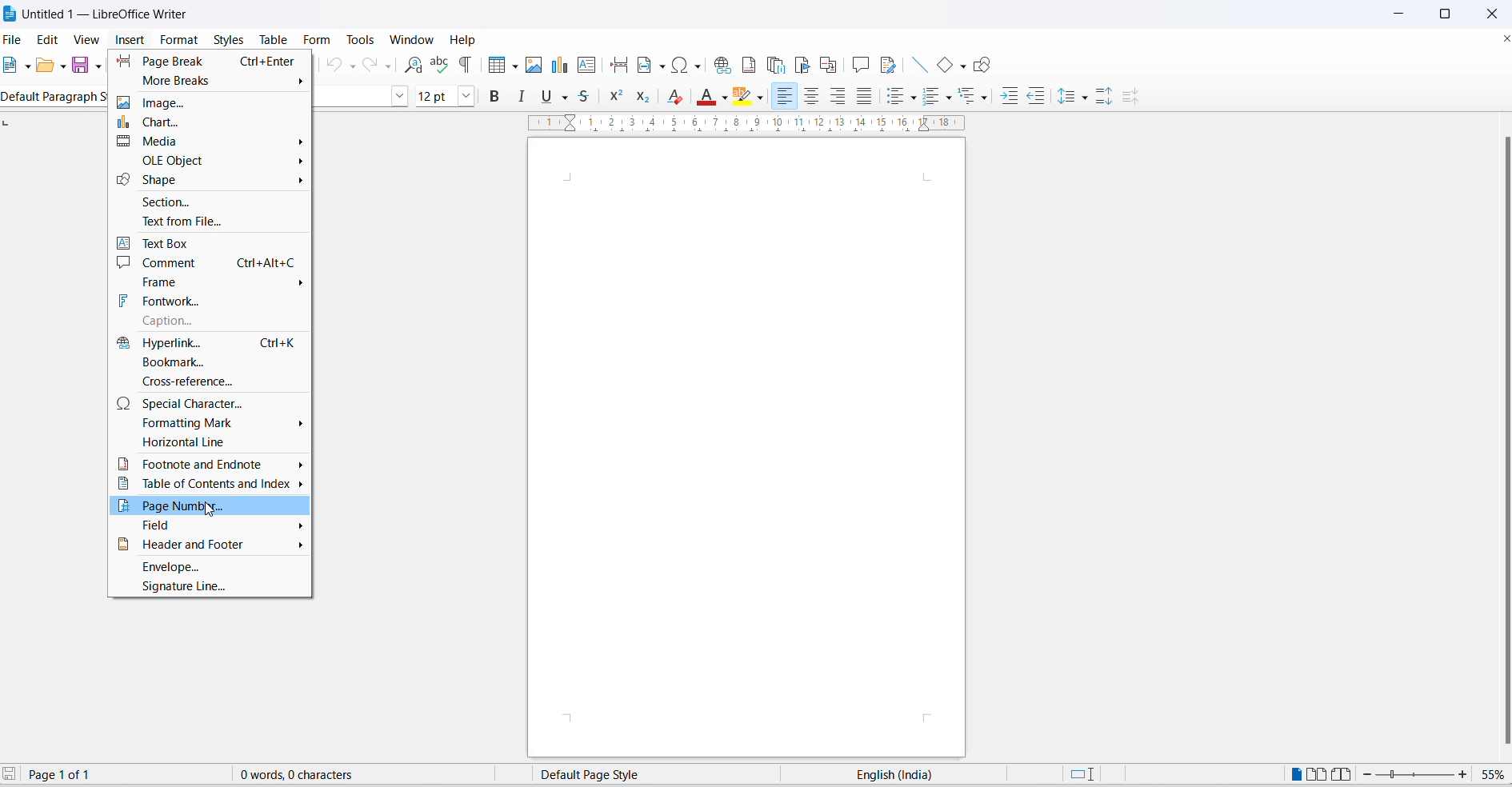  I want to click on fill color options, so click(726, 98).